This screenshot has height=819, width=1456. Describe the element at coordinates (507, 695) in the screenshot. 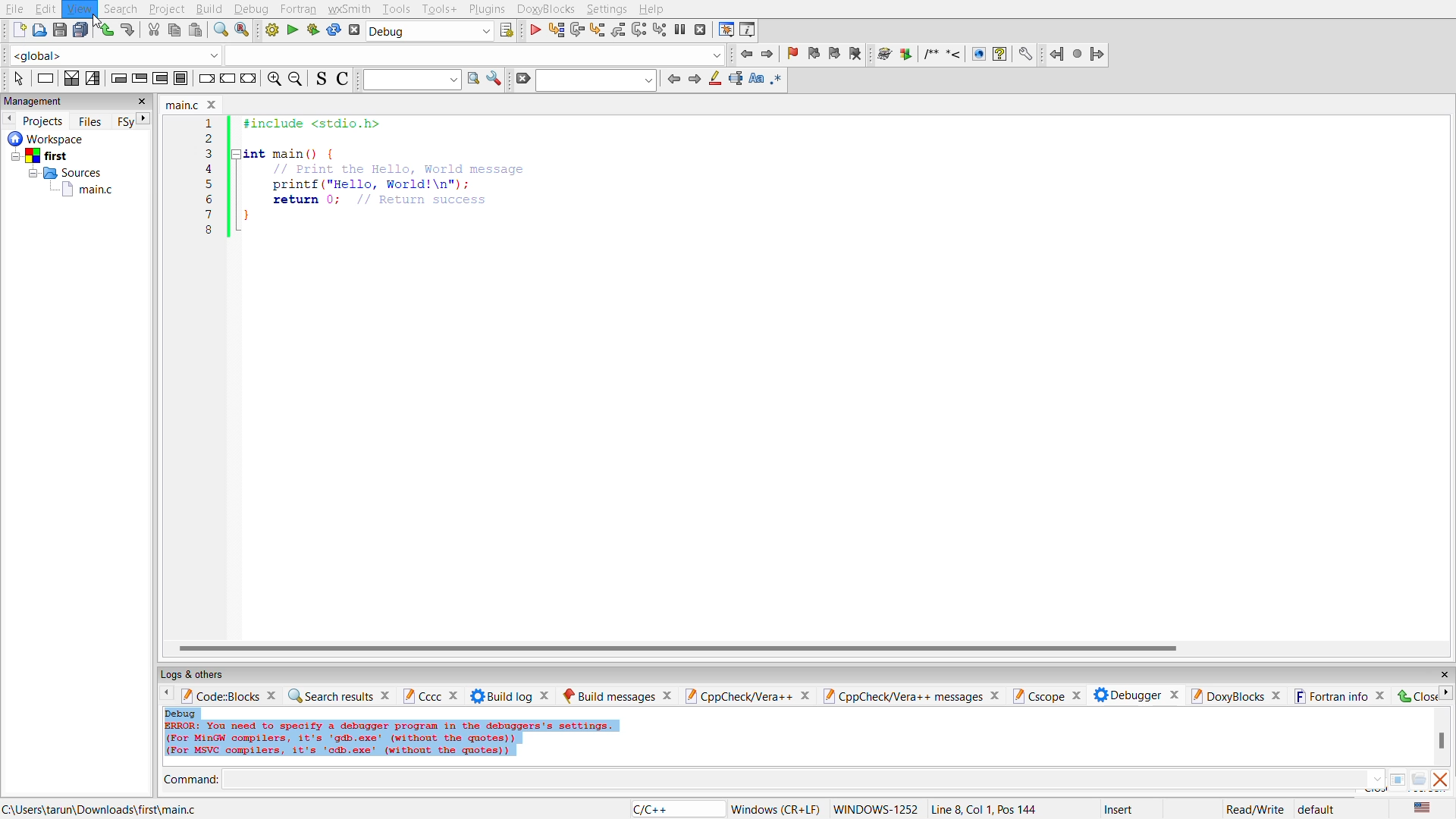

I see `build log` at that location.